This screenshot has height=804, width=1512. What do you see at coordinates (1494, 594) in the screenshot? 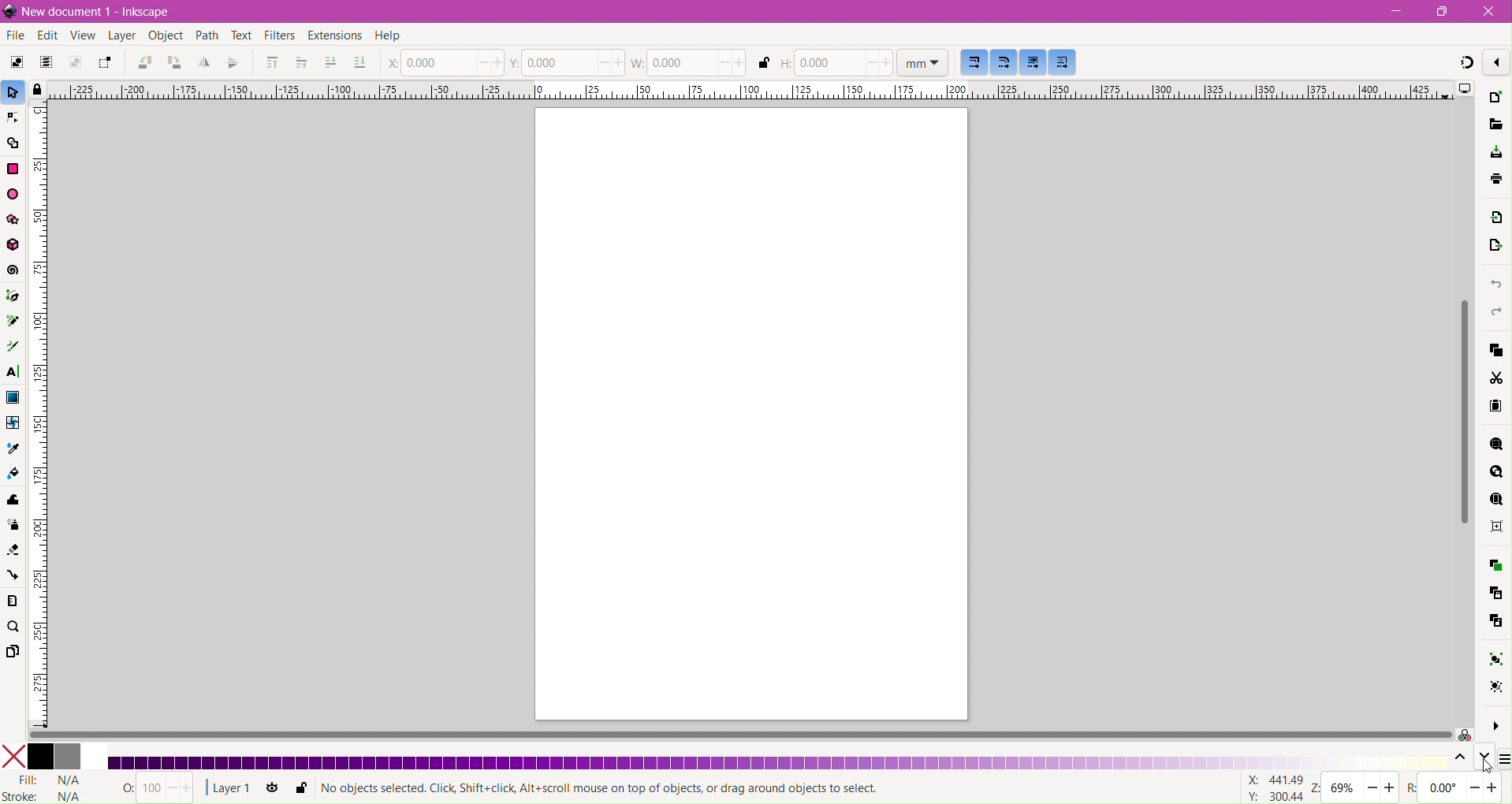
I see `Create Clone` at bounding box center [1494, 594].